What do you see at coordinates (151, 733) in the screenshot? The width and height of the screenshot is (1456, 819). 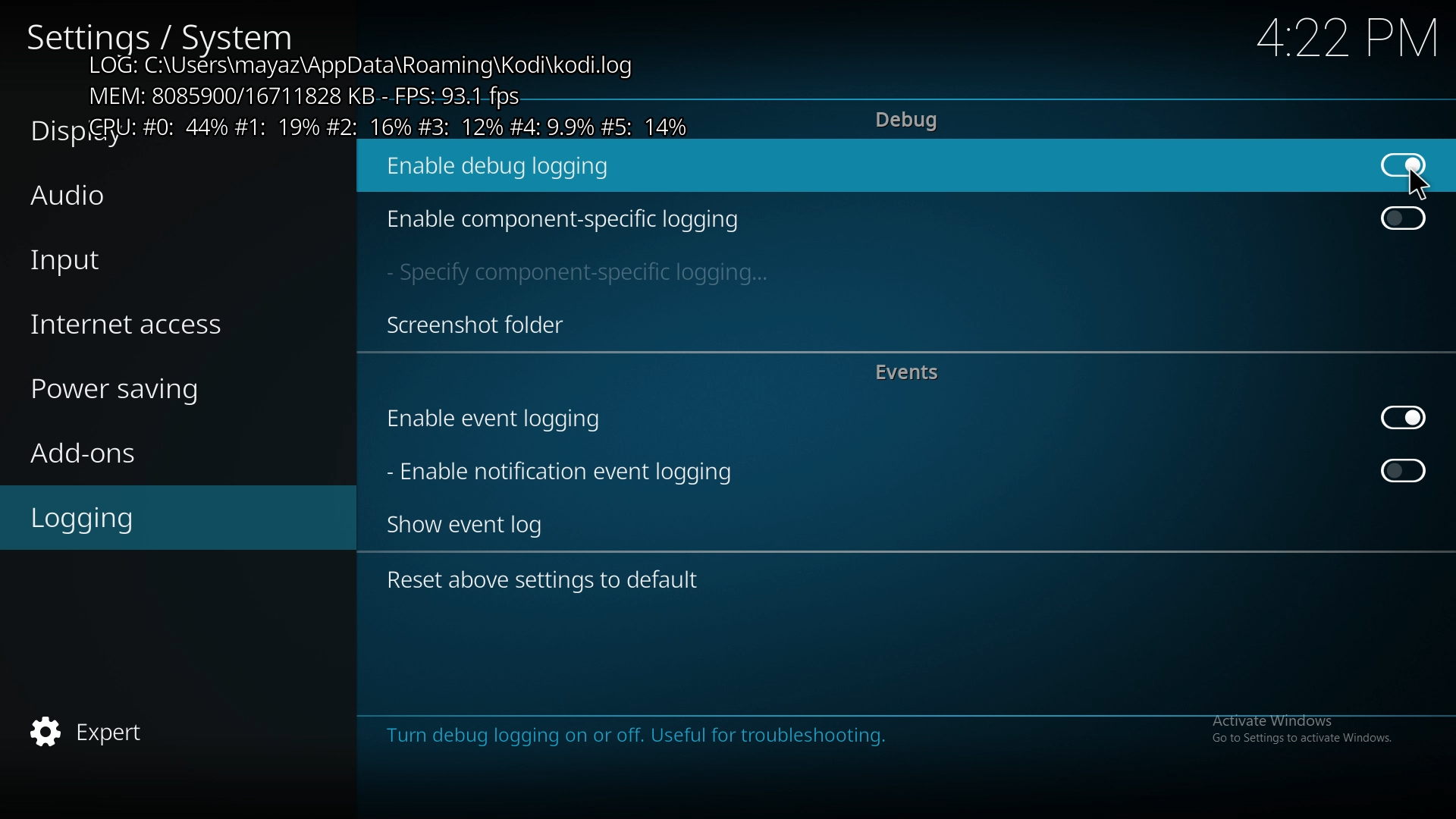 I see `expert` at bounding box center [151, 733].